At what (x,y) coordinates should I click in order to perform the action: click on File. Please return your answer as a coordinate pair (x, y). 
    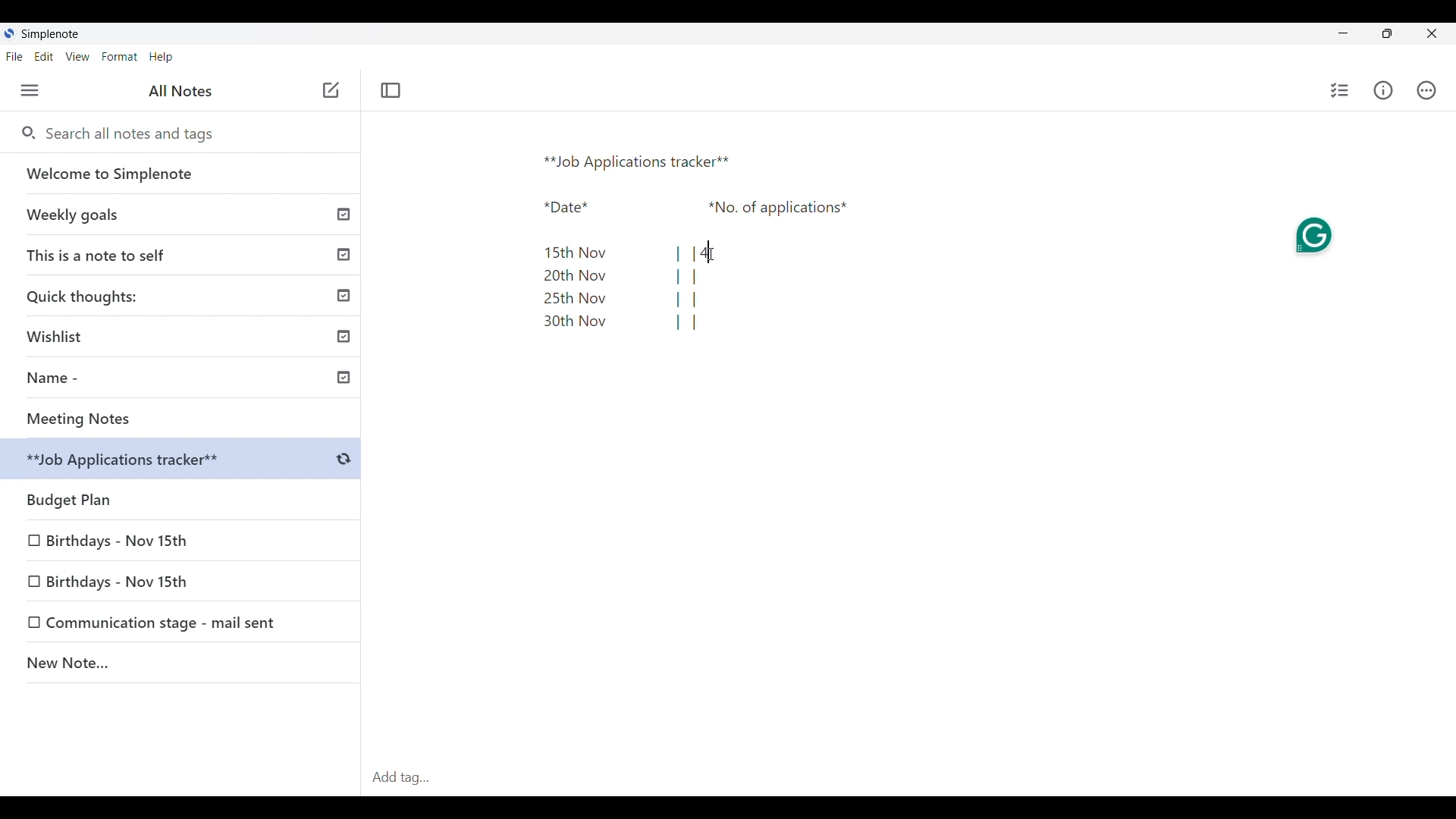
    Looking at the image, I should click on (14, 55).